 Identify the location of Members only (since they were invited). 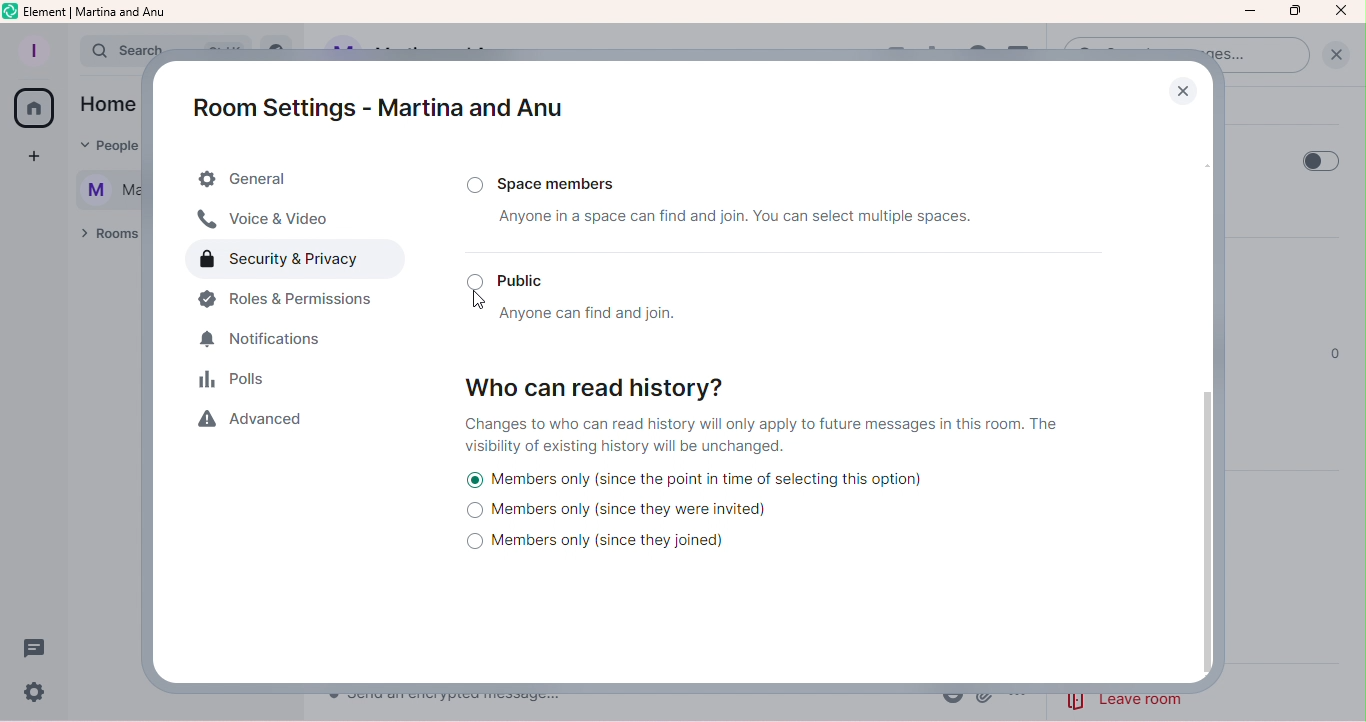
(622, 513).